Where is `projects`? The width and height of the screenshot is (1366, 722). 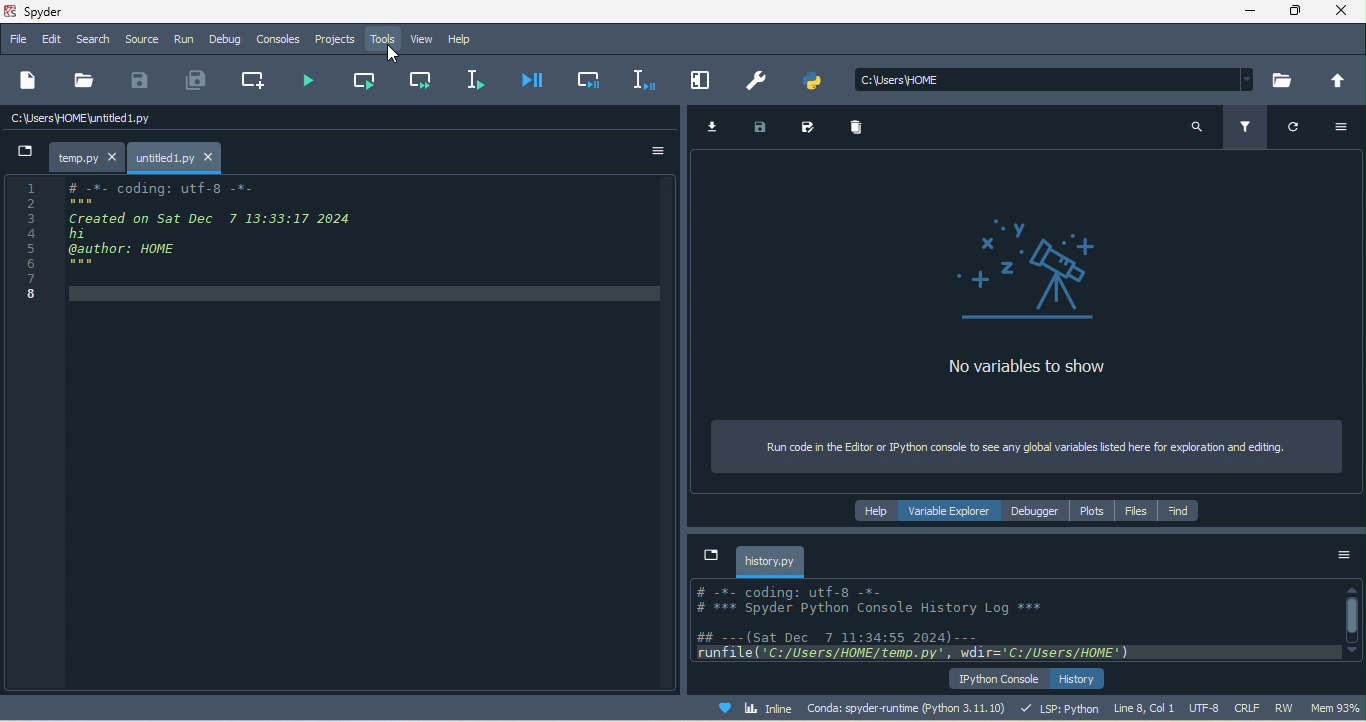
projects is located at coordinates (337, 41).